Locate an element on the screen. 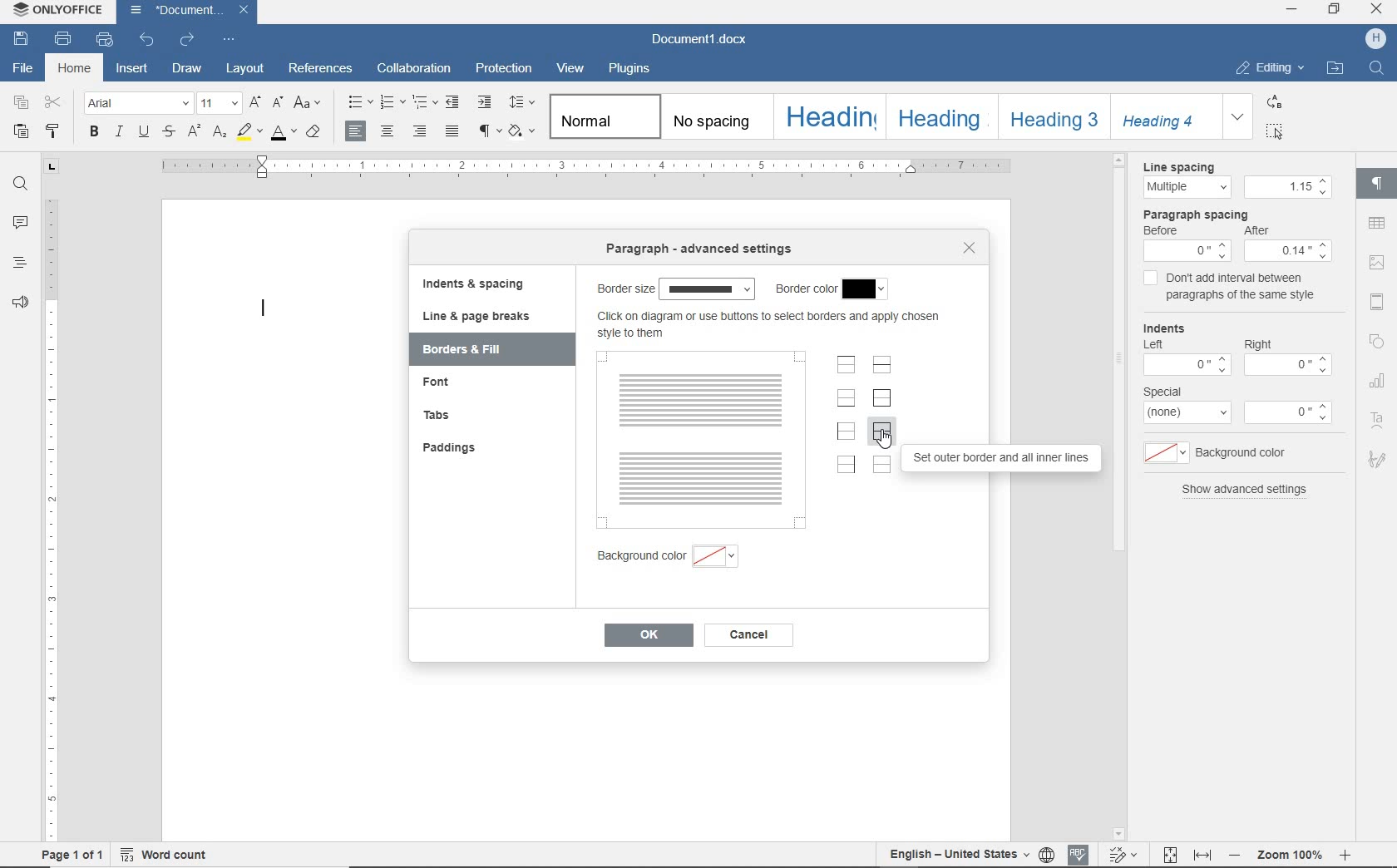  heading1 is located at coordinates (832, 116).